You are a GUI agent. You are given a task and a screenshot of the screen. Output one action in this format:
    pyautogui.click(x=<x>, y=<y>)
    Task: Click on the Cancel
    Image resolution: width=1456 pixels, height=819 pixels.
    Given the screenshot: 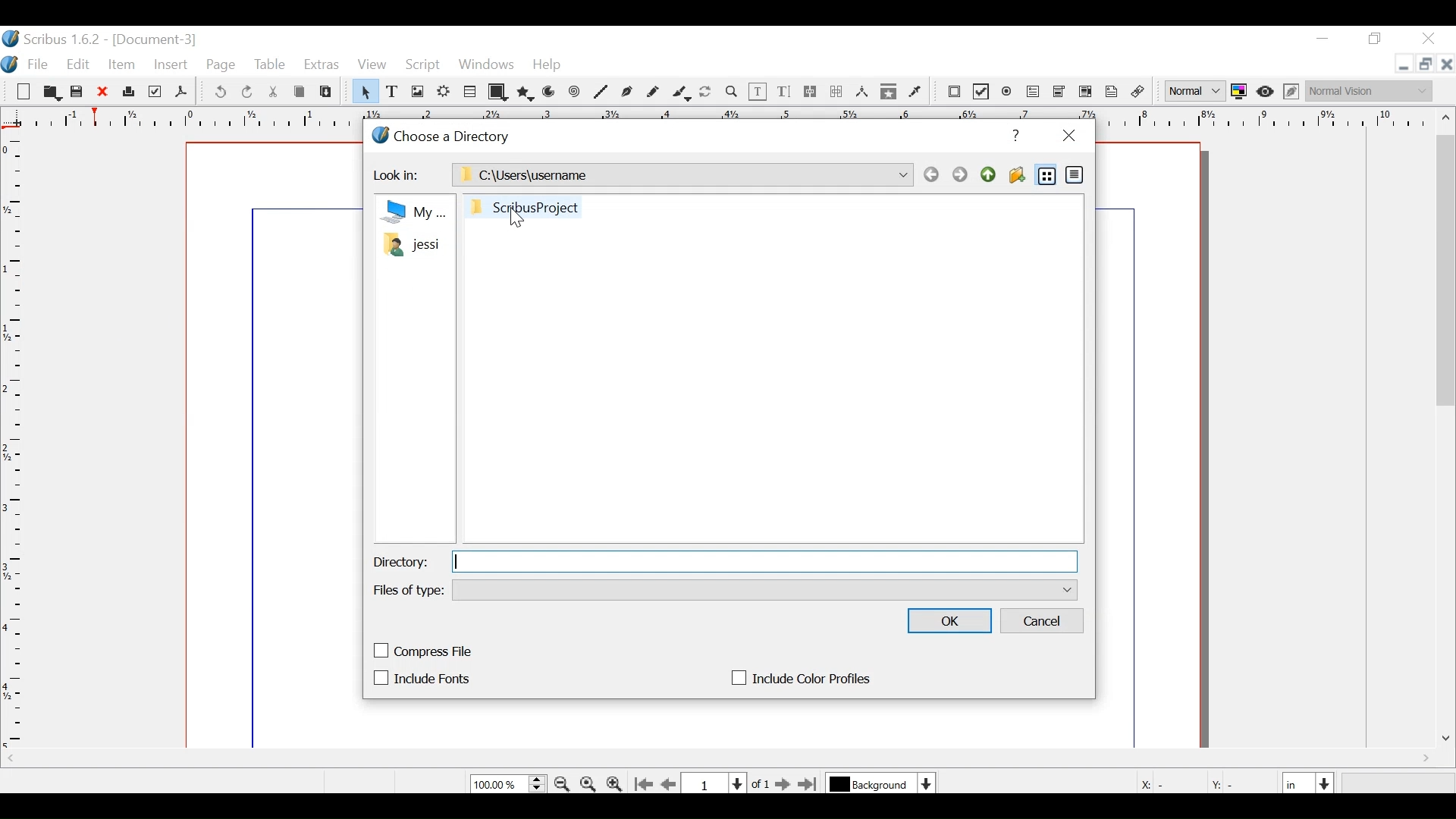 What is the action you would take?
    pyautogui.click(x=1043, y=621)
    